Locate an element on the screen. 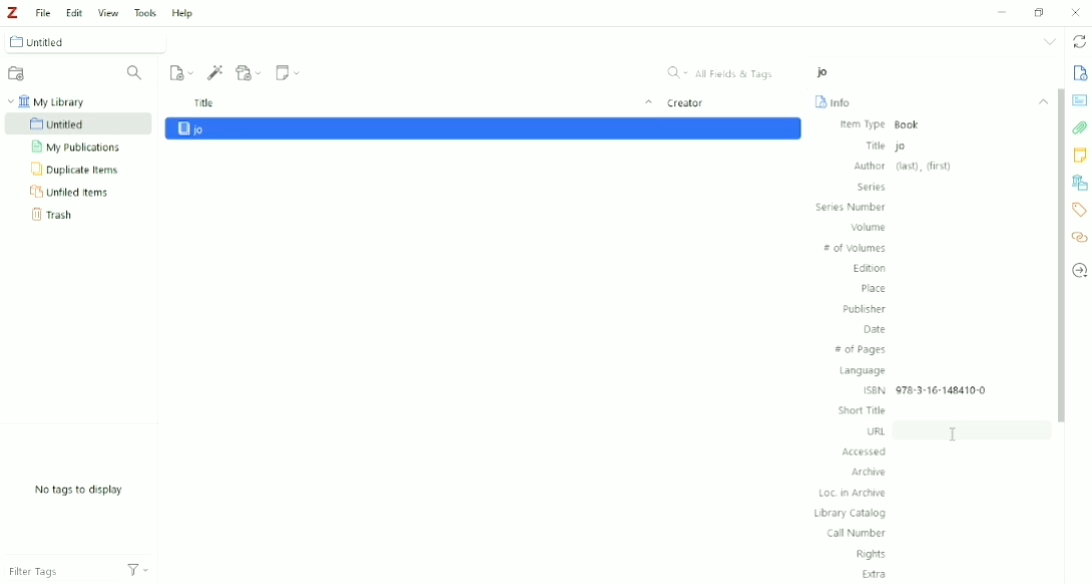 This screenshot has width=1092, height=584. Tags is located at coordinates (1080, 209).